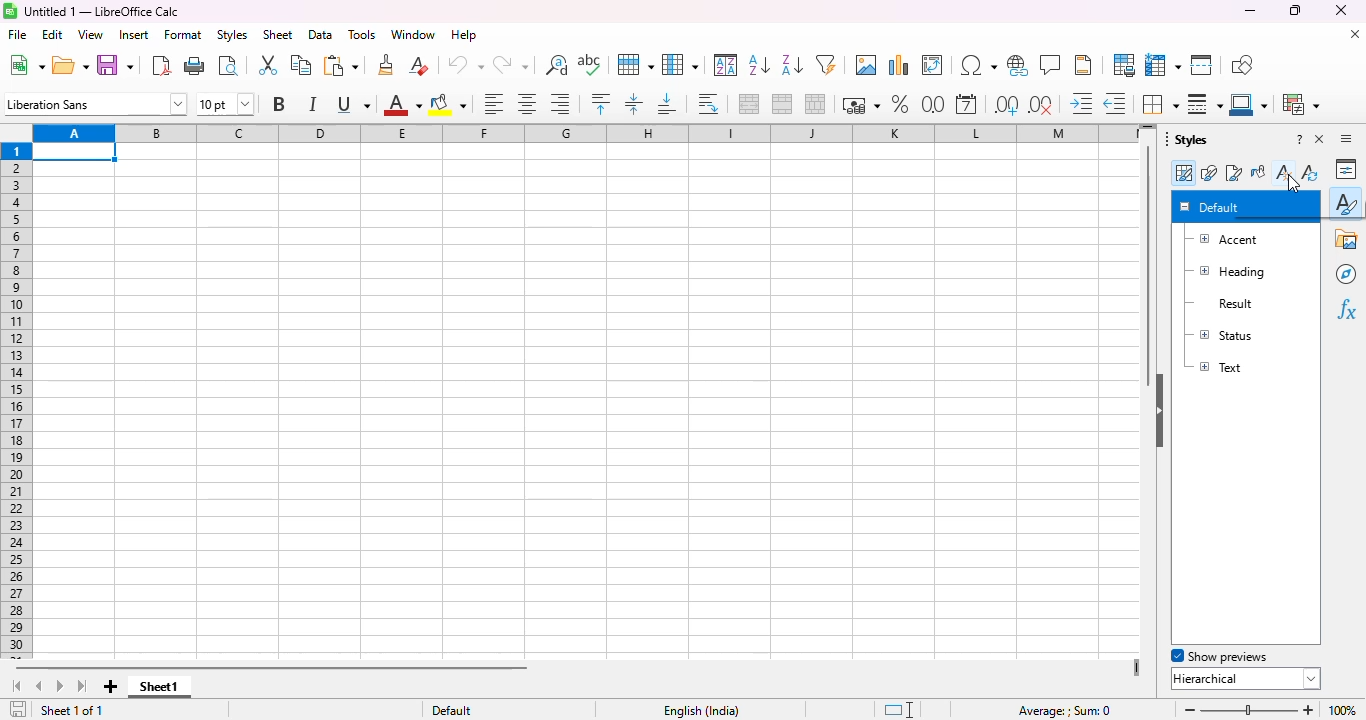 Image resolution: width=1366 pixels, height=720 pixels. I want to click on italic, so click(311, 104).